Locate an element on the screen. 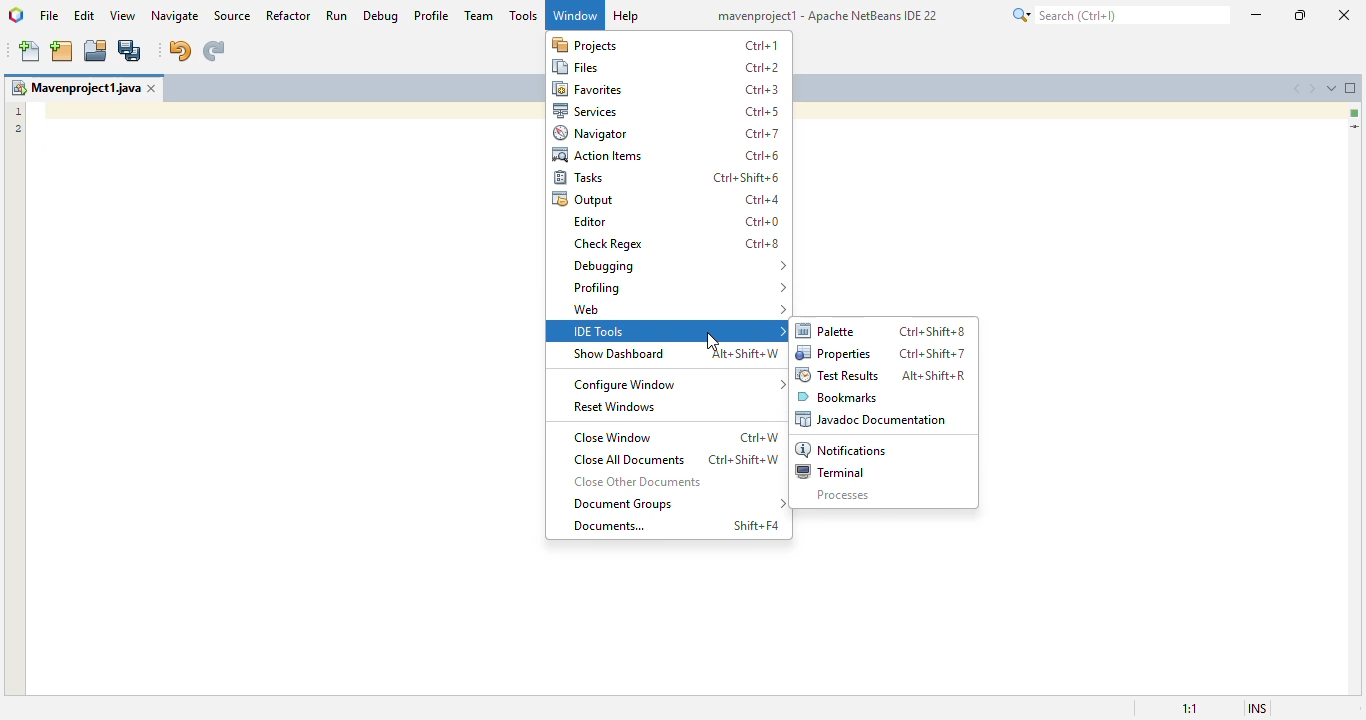  favorites is located at coordinates (587, 88).